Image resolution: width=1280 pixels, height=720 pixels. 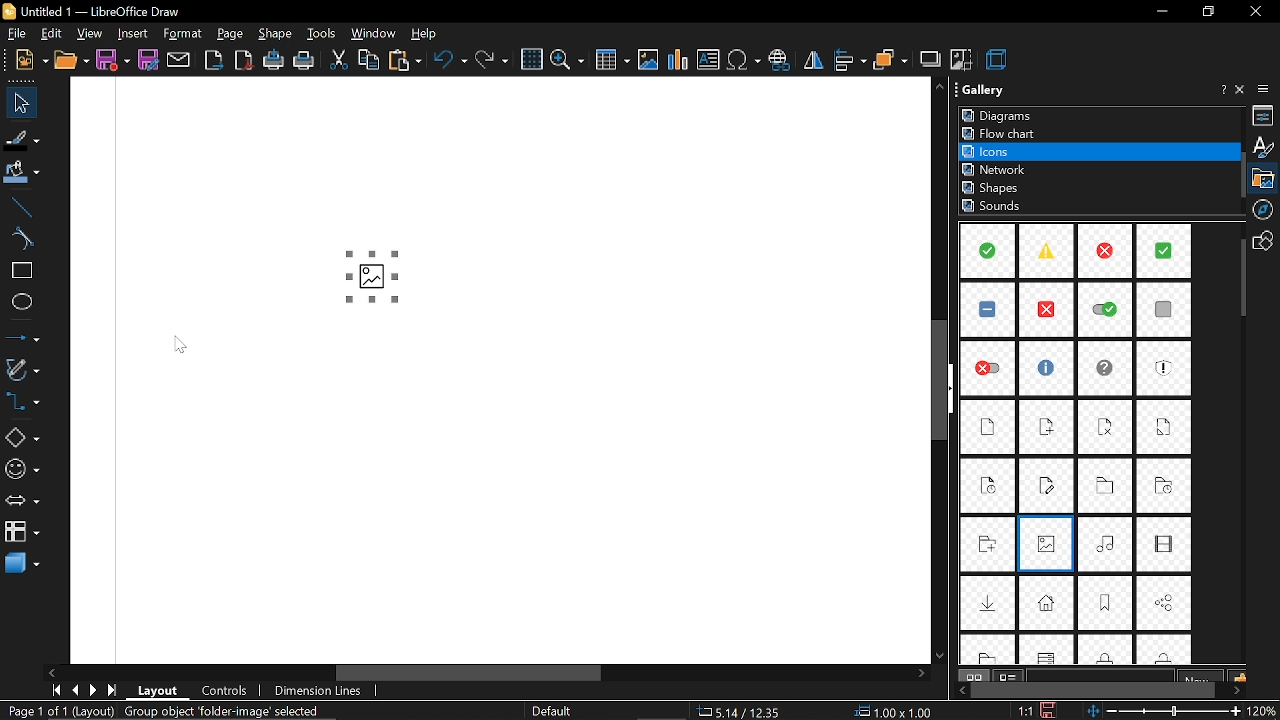 I want to click on insert table, so click(x=611, y=61).